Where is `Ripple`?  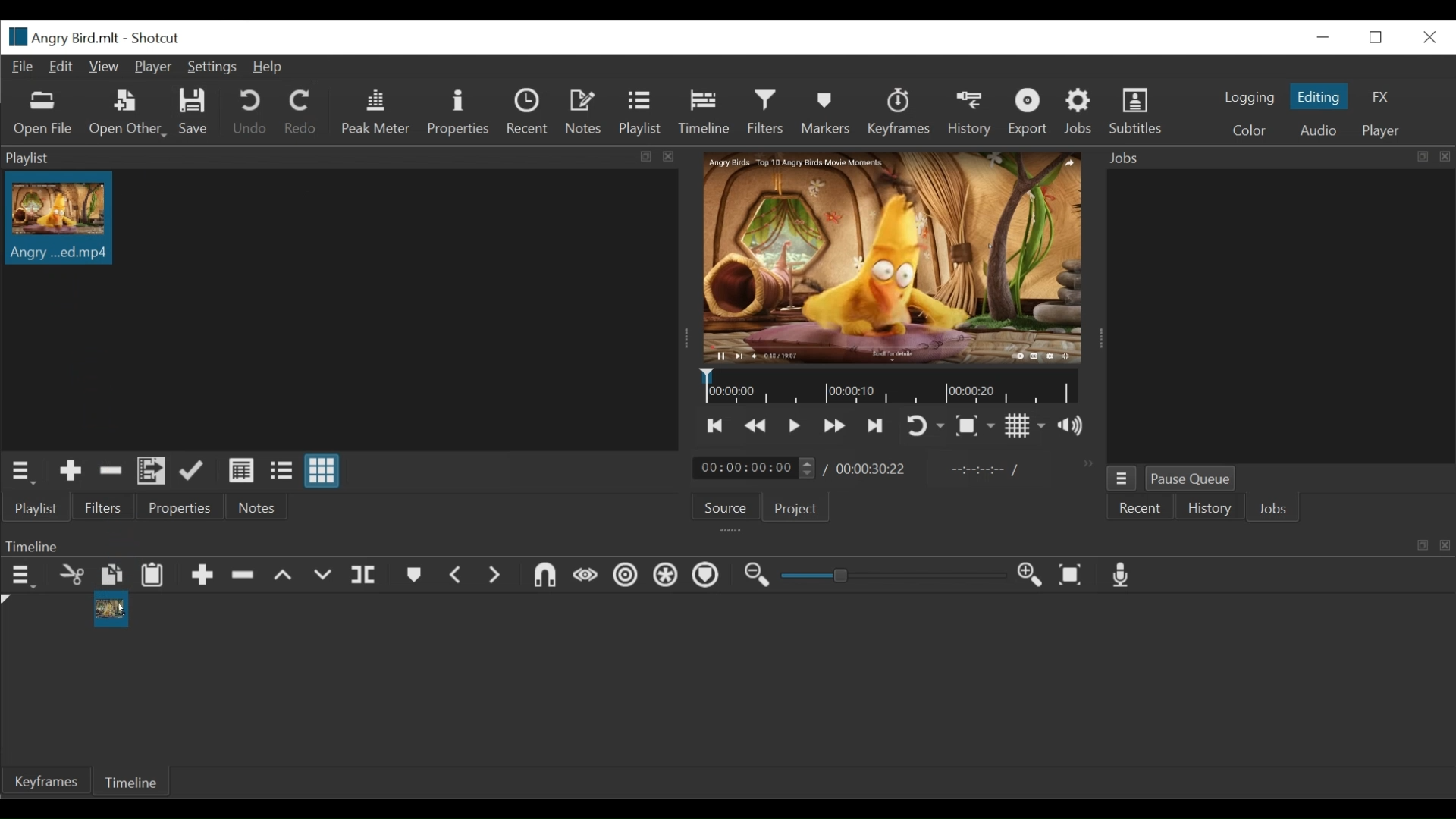
Ripple is located at coordinates (626, 576).